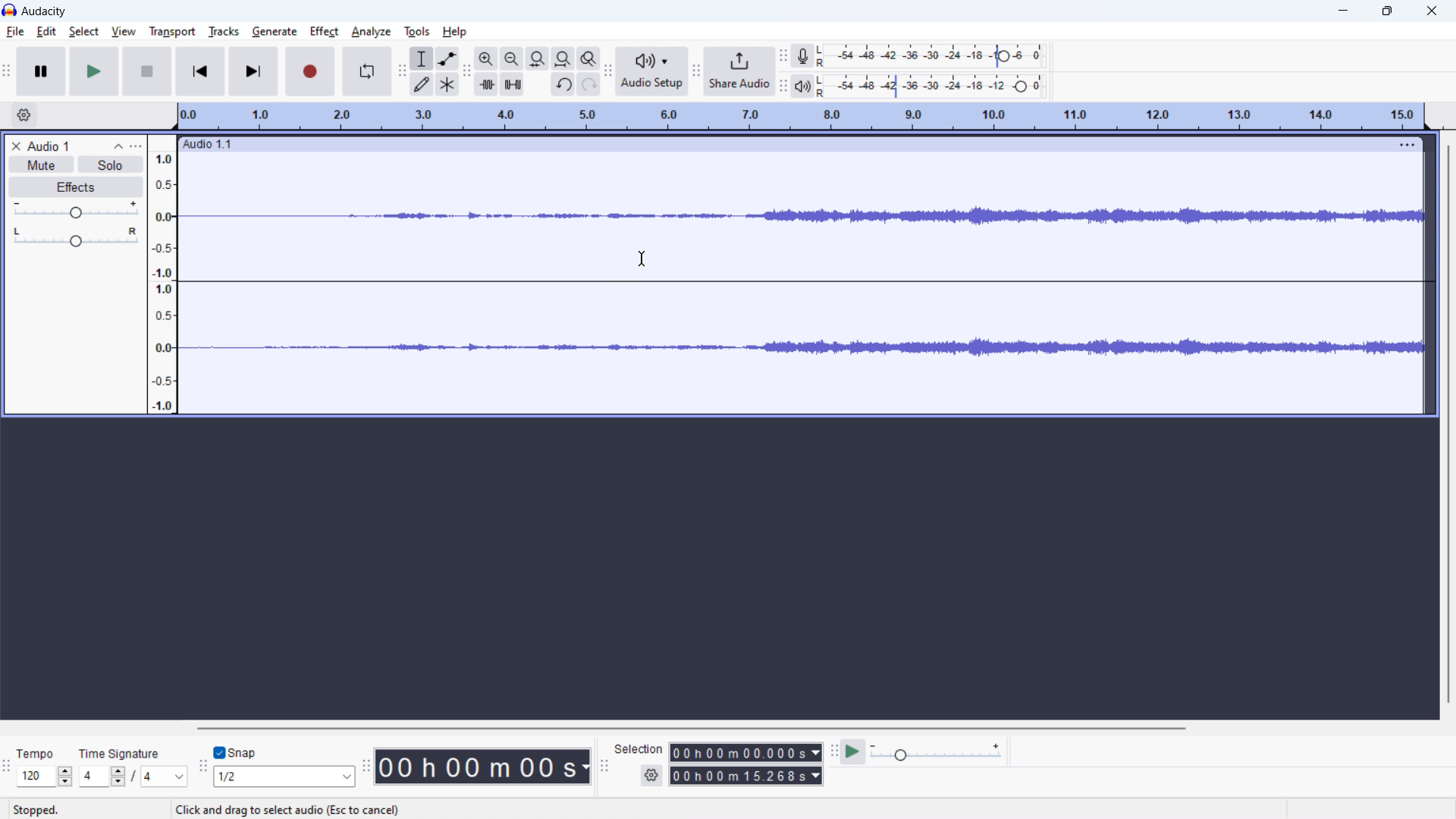  What do you see at coordinates (537, 58) in the screenshot?
I see `fit selection to width` at bounding box center [537, 58].